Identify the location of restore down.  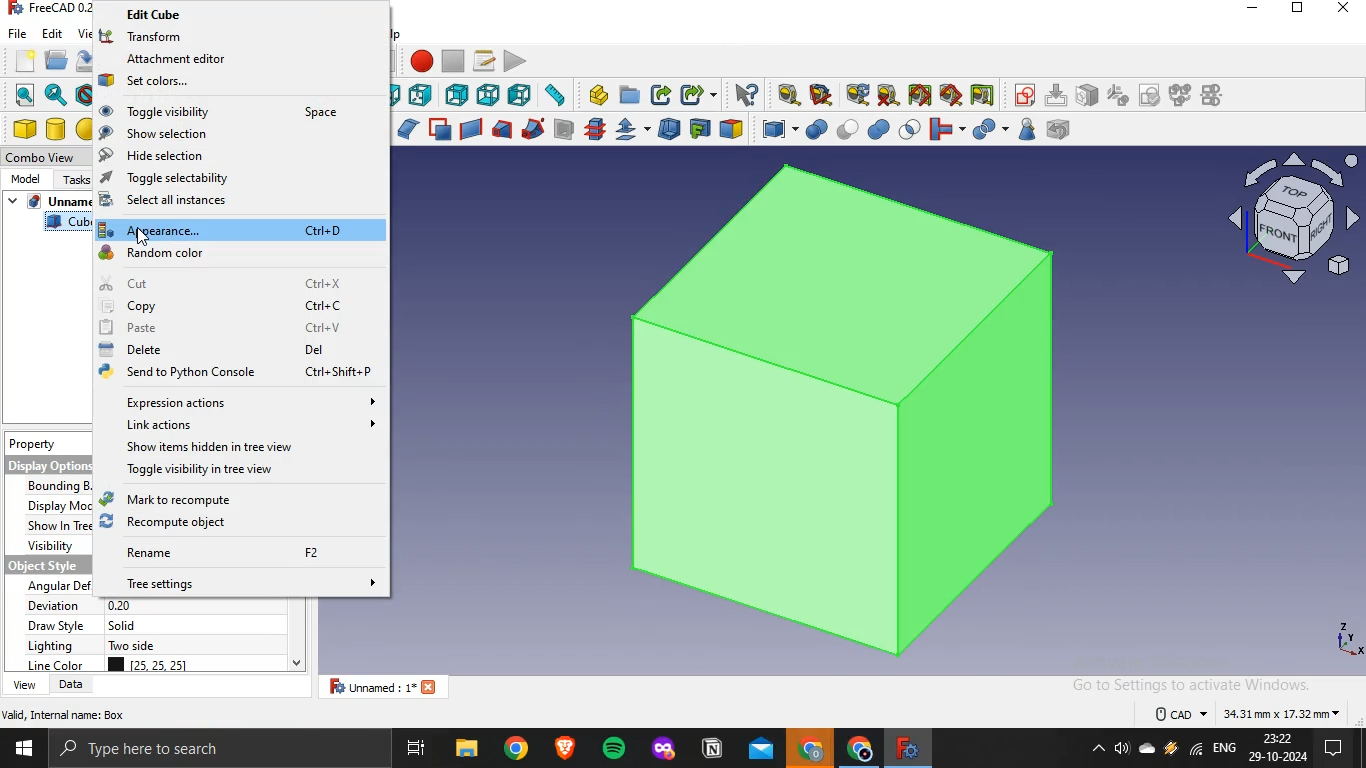
(1297, 10).